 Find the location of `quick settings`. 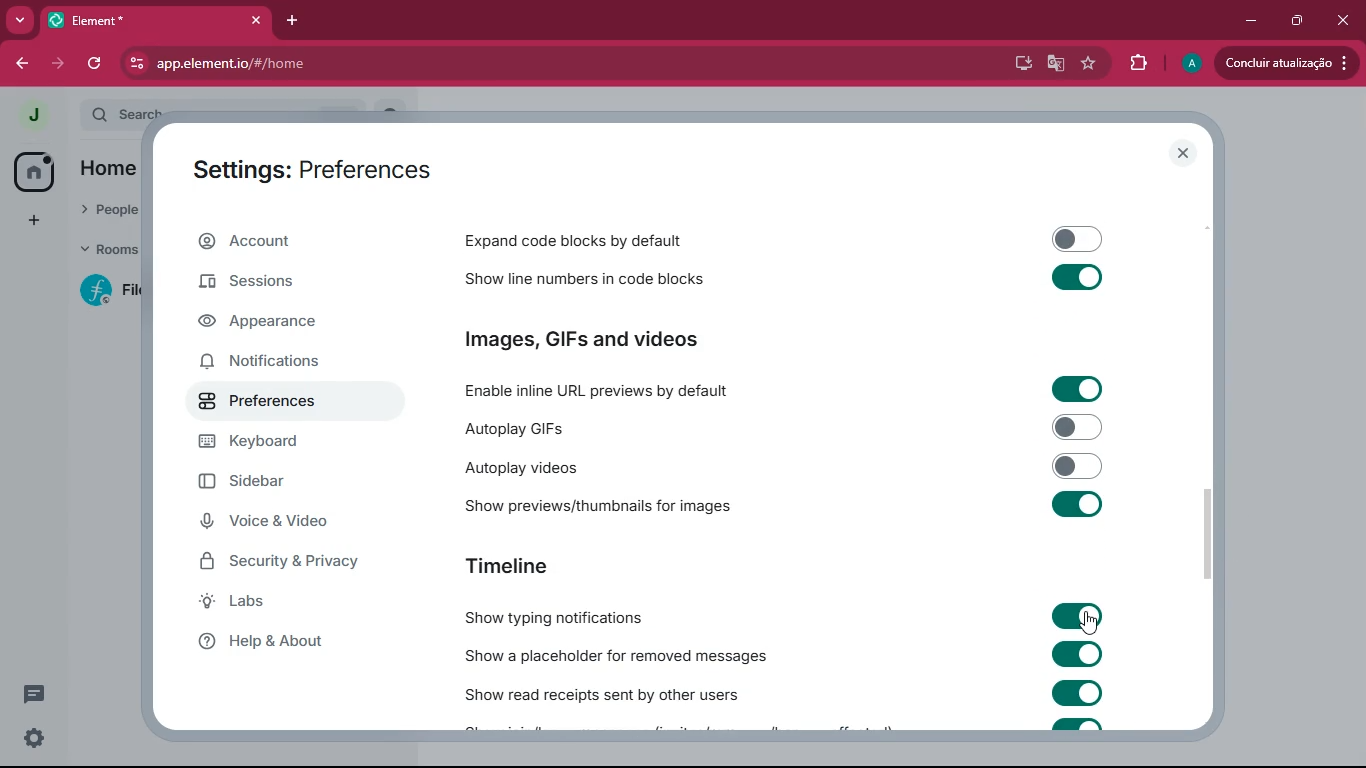

quick settings is located at coordinates (34, 738).